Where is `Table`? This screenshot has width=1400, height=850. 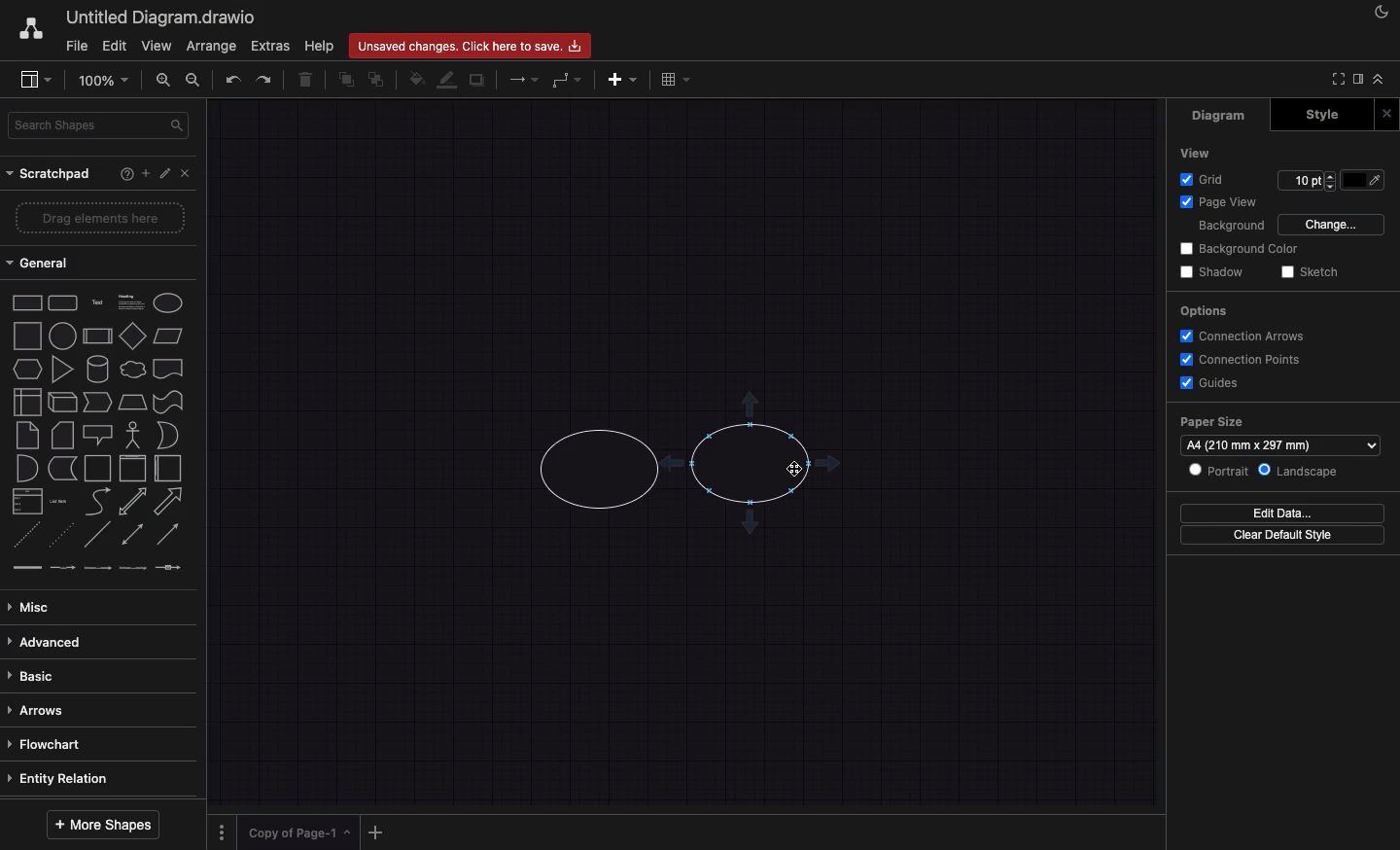
Table is located at coordinates (673, 82).